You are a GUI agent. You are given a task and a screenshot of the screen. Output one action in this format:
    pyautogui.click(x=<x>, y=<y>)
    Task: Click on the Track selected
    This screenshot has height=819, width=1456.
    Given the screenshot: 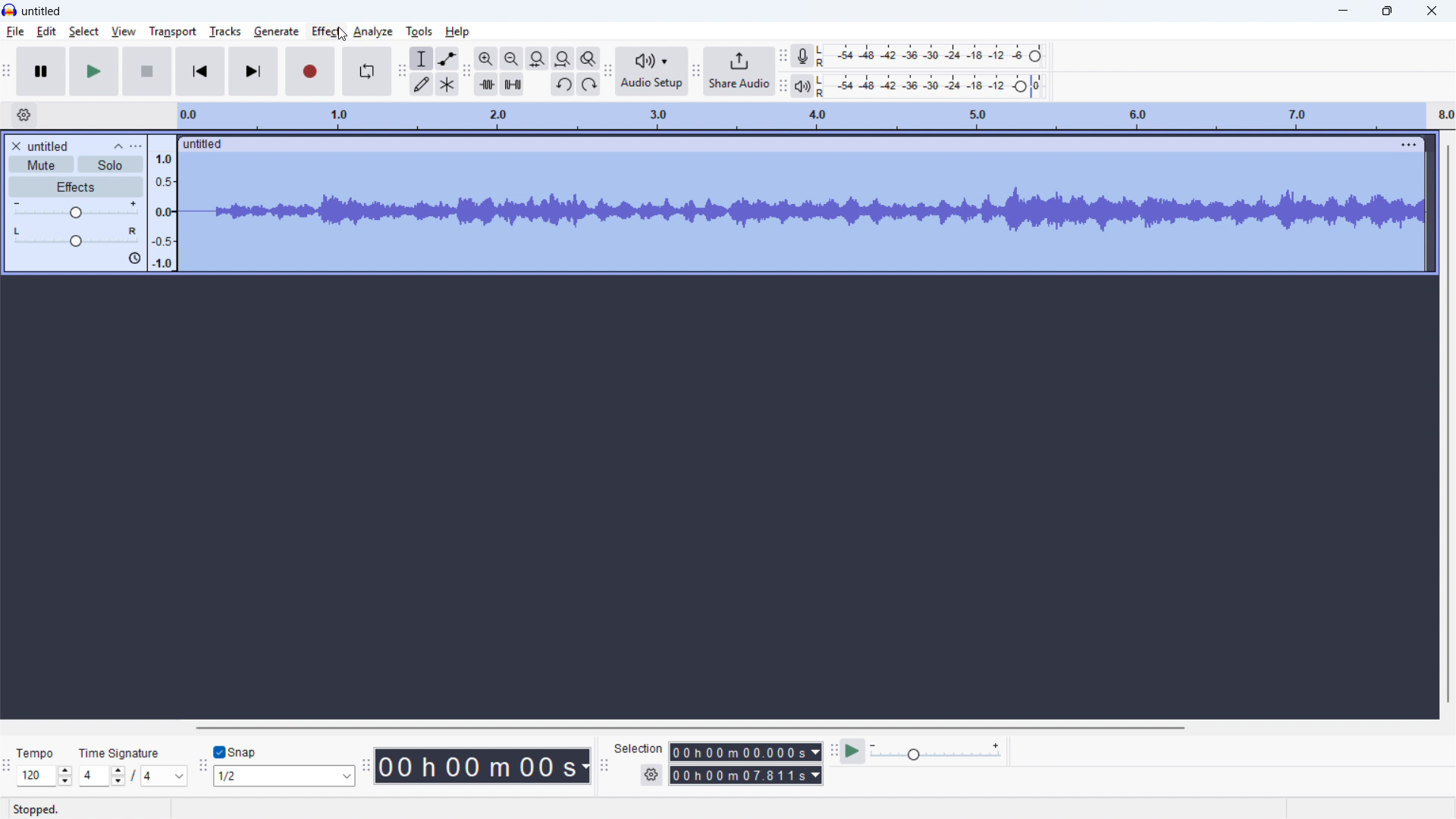 What is the action you would take?
    pyautogui.click(x=800, y=213)
    